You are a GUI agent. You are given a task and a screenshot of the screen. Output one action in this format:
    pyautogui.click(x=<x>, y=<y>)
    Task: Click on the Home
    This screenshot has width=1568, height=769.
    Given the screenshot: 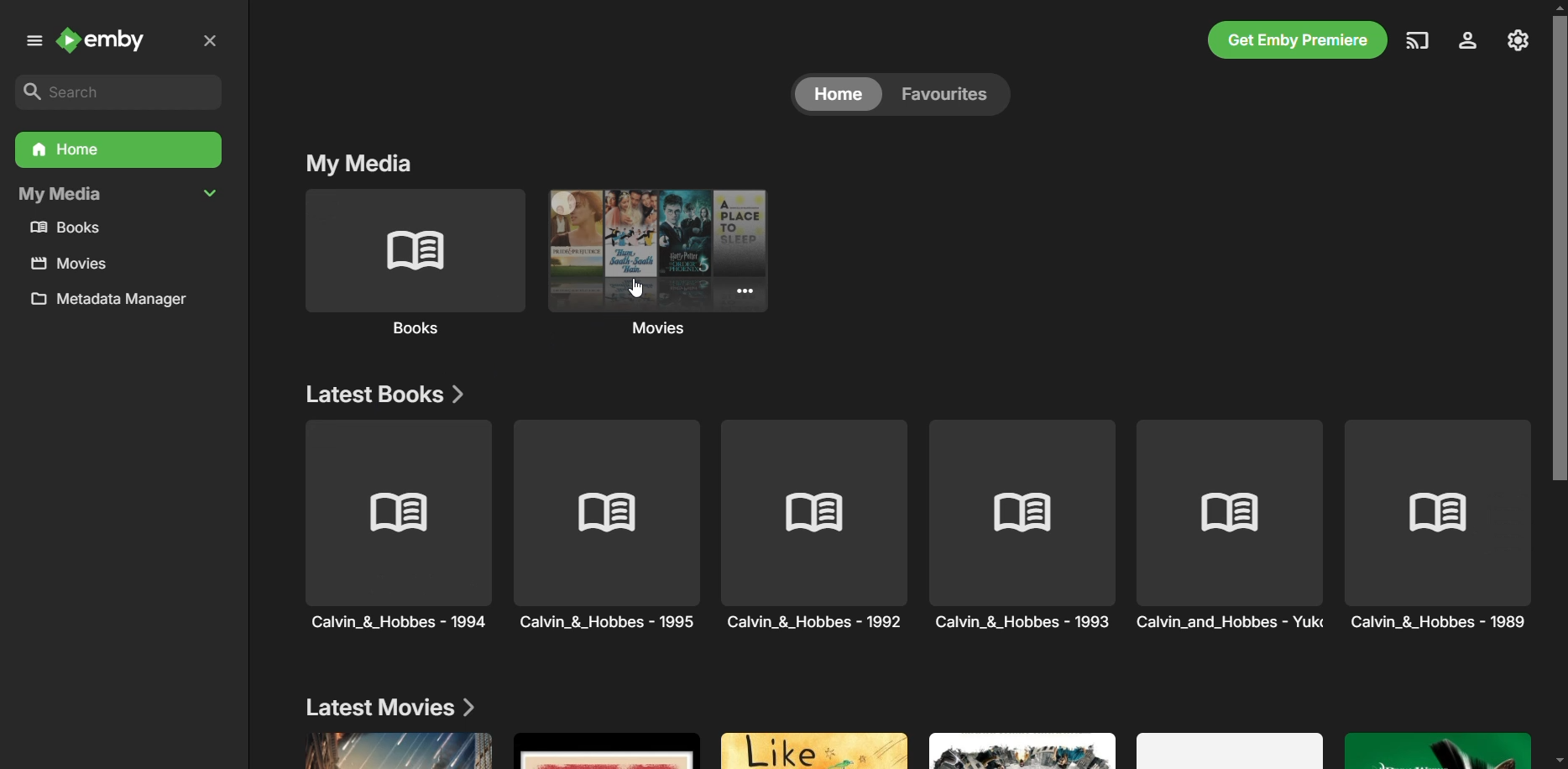 What is the action you would take?
    pyautogui.click(x=837, y=96)
    